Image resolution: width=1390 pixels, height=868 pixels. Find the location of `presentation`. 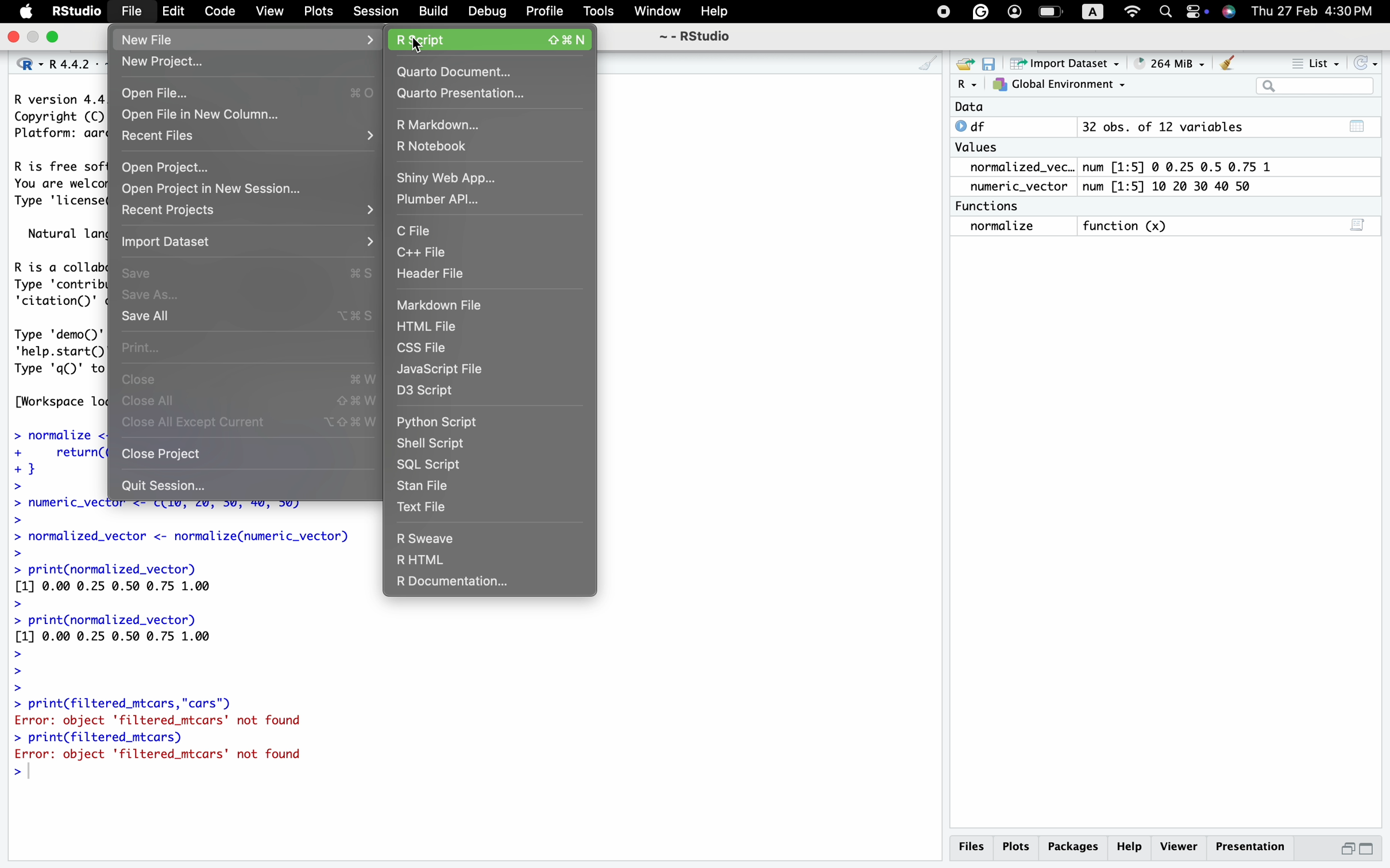

presentation is located at coordinates (1249, 847).